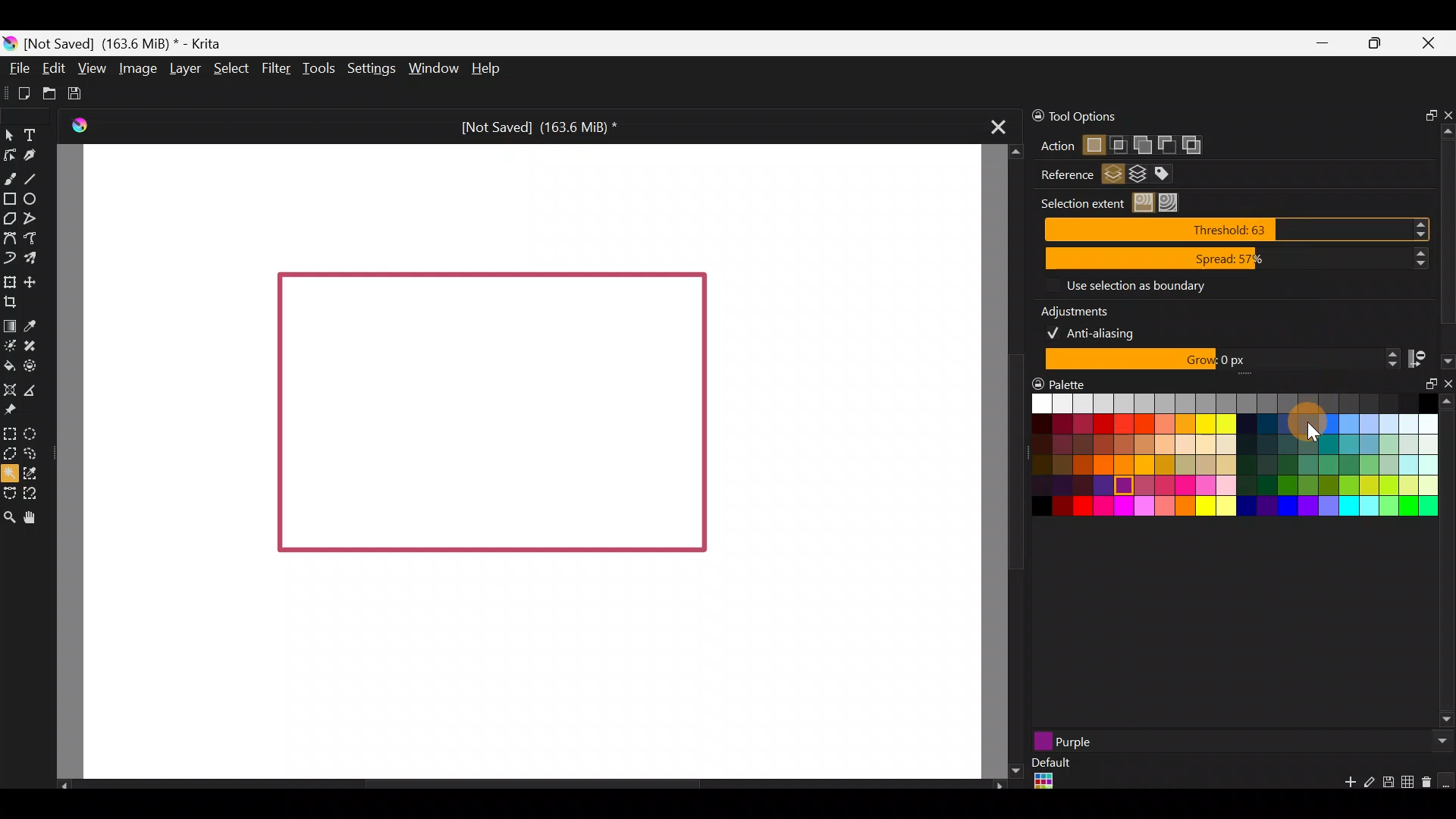 The width and height of the screenshot is (1456, 819). I want to click on Scroll bar, so click(1005, 462).